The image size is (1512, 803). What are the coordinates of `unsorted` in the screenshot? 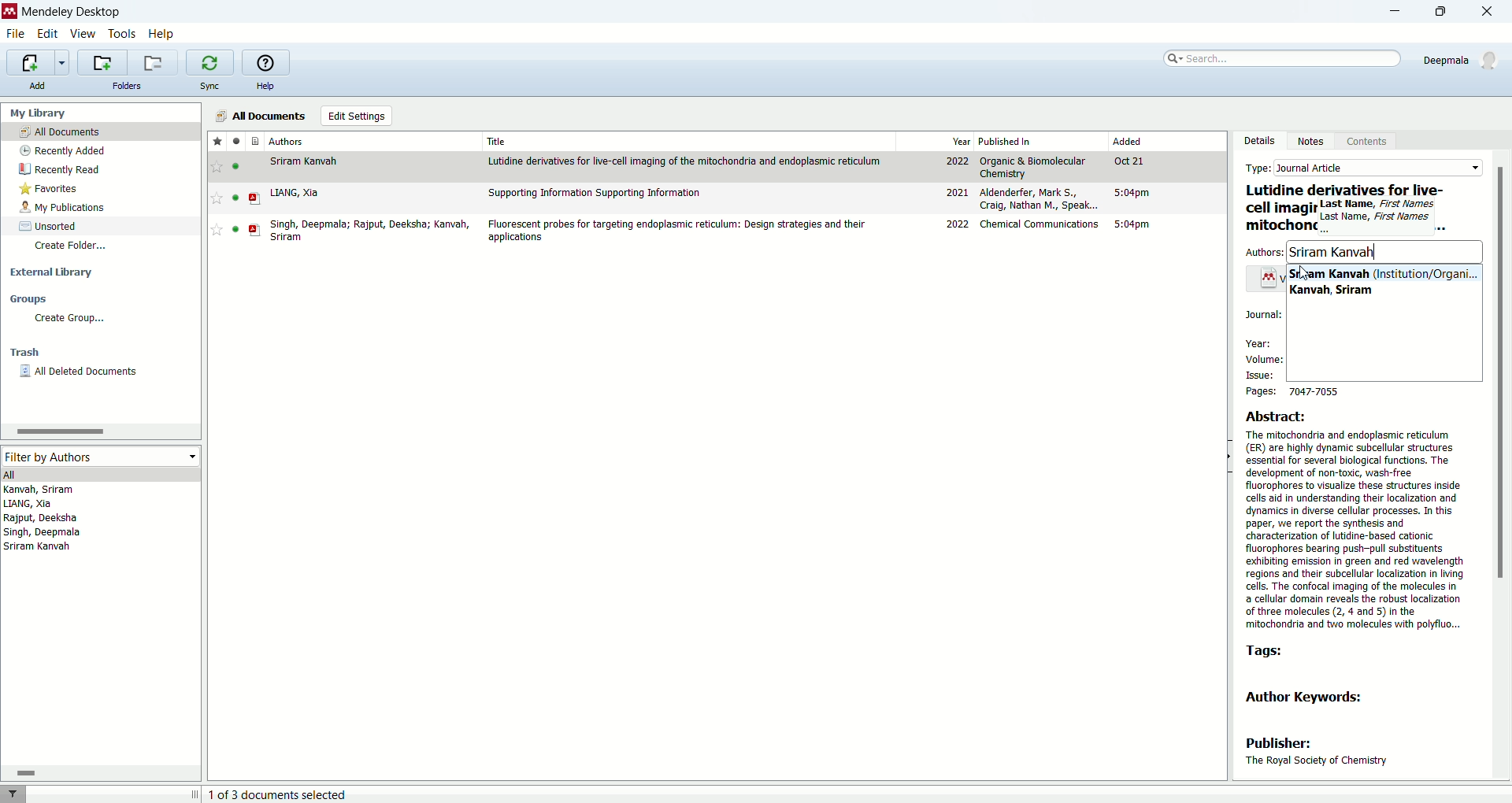 It's located at (51, 225).